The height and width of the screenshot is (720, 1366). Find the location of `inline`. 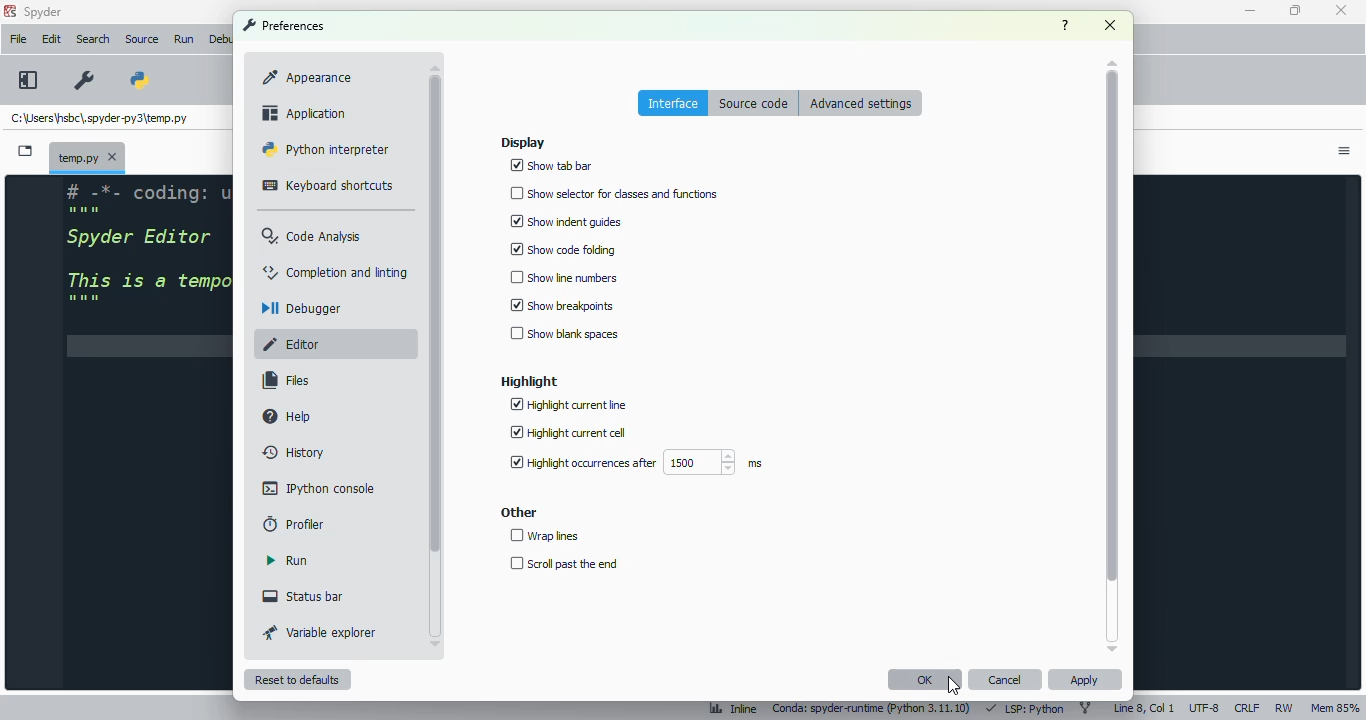

inline is located at coordinates (733, 709).